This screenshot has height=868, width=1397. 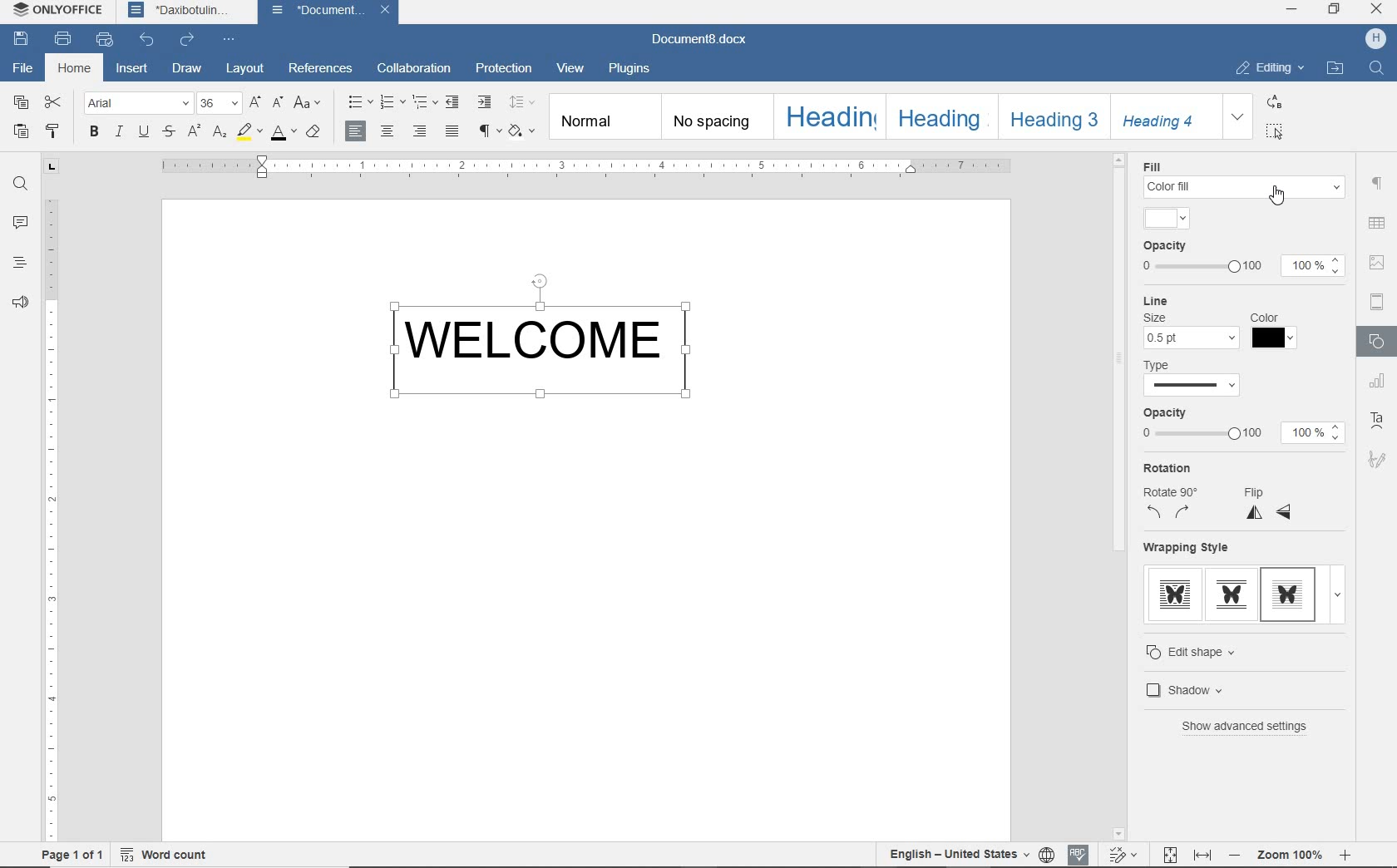 I want to click on MINIMIZE, so click(x=1292, y=8).